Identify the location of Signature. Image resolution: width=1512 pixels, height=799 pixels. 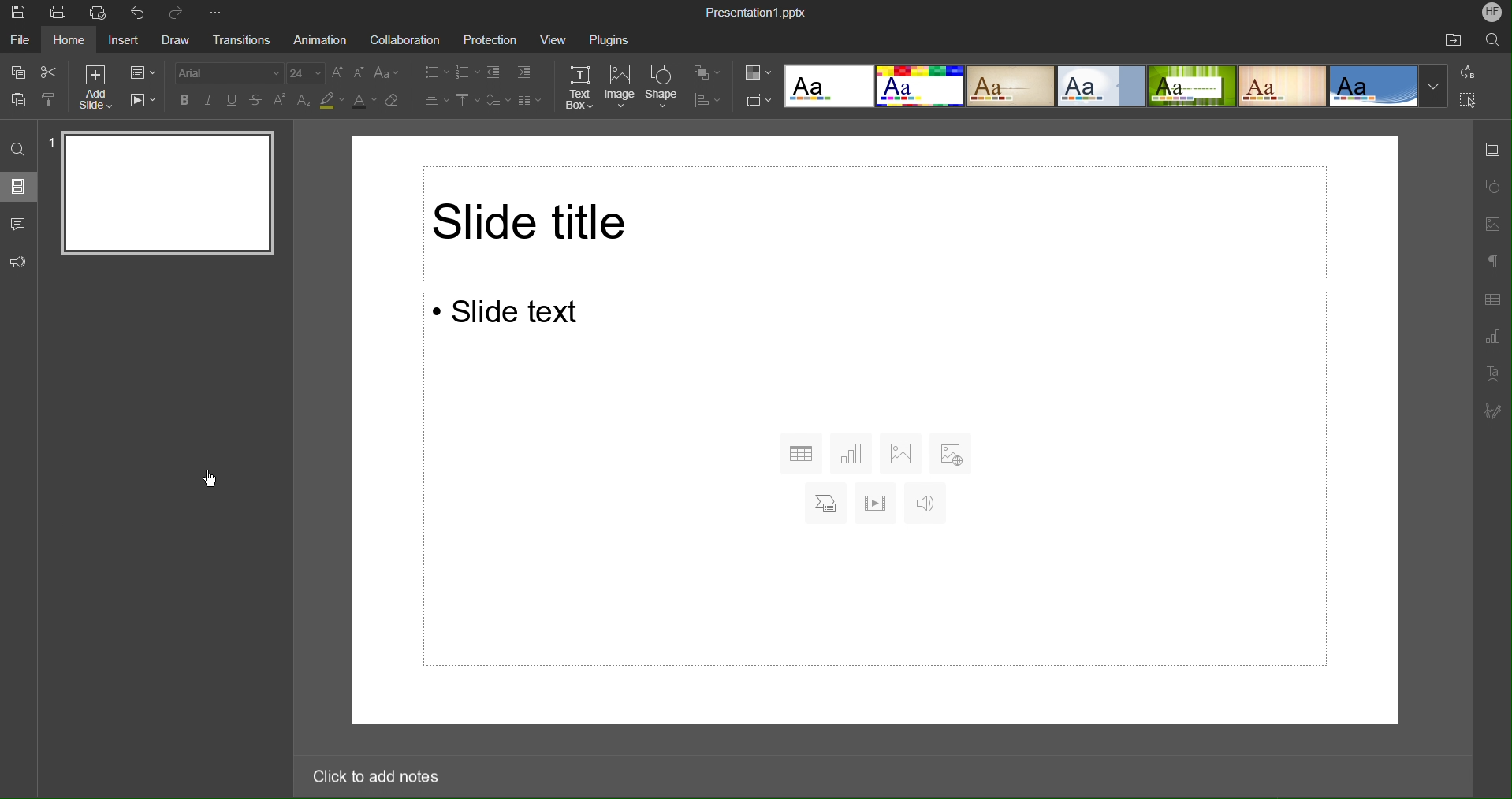
(1496, 411).